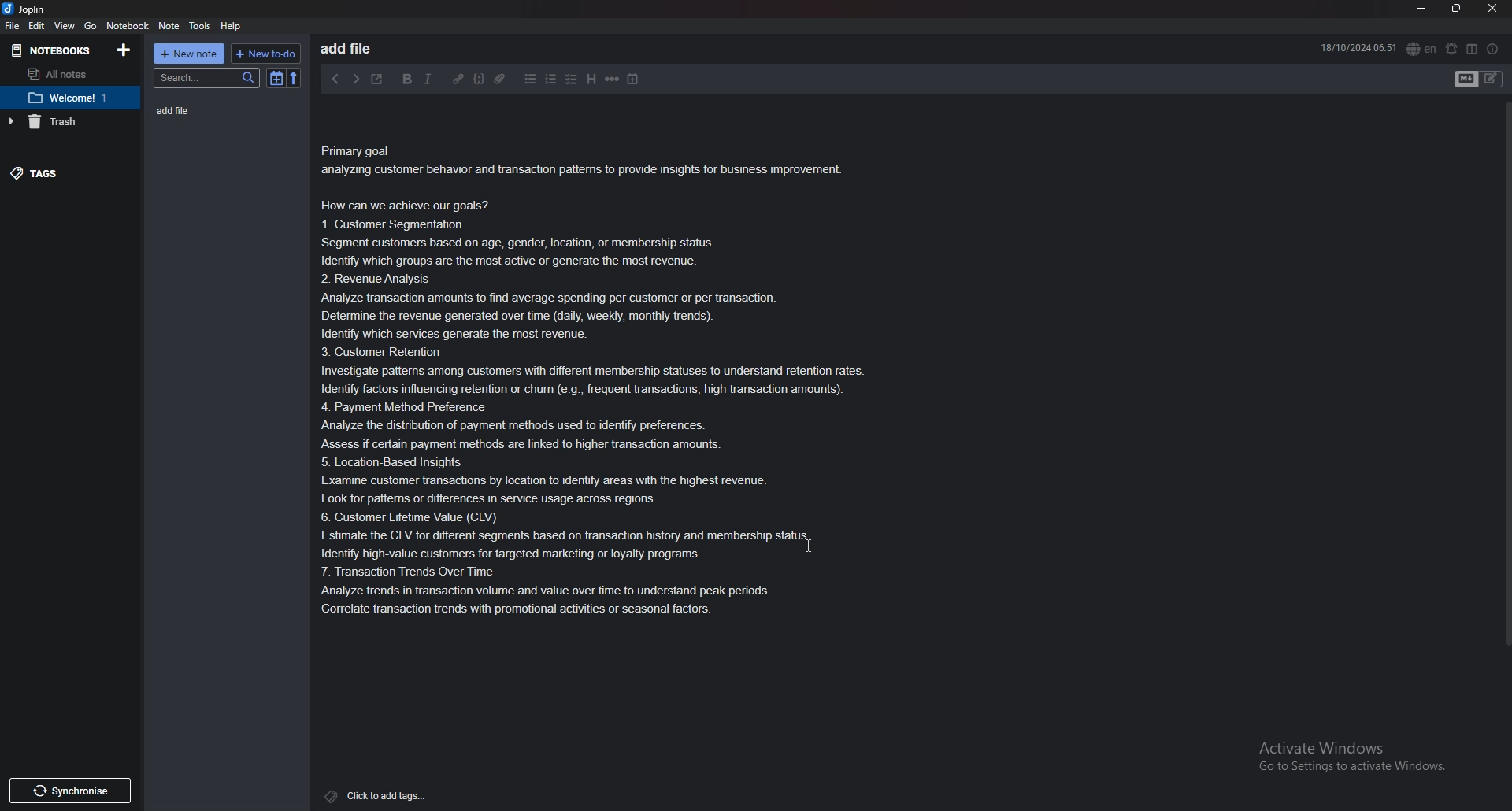  I want to click on Title, so click(359, 50).